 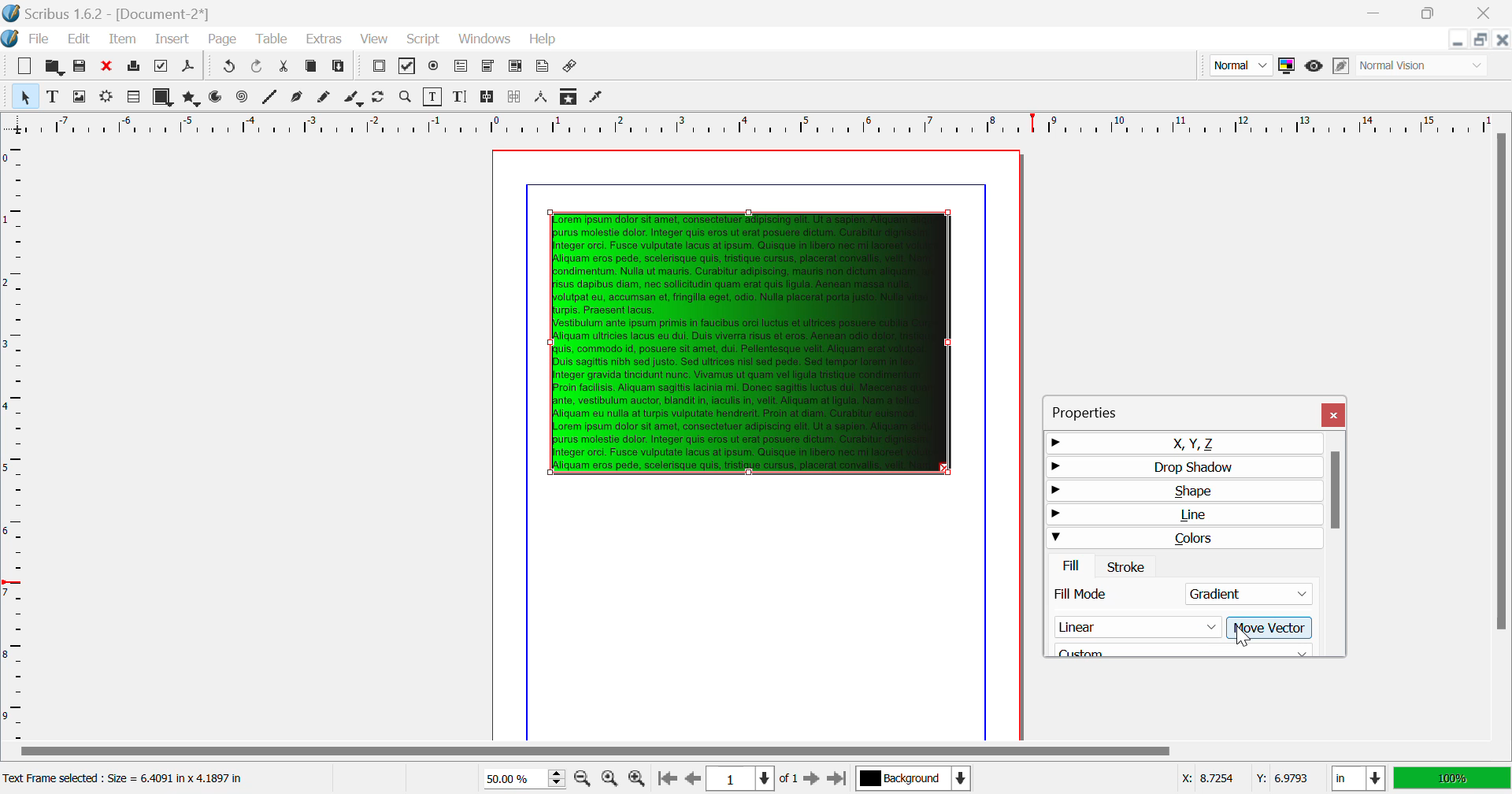 What do you see at coordinates (406, 97) in the screenshot?
I see `Zoom` at bounding box center [406, 97].